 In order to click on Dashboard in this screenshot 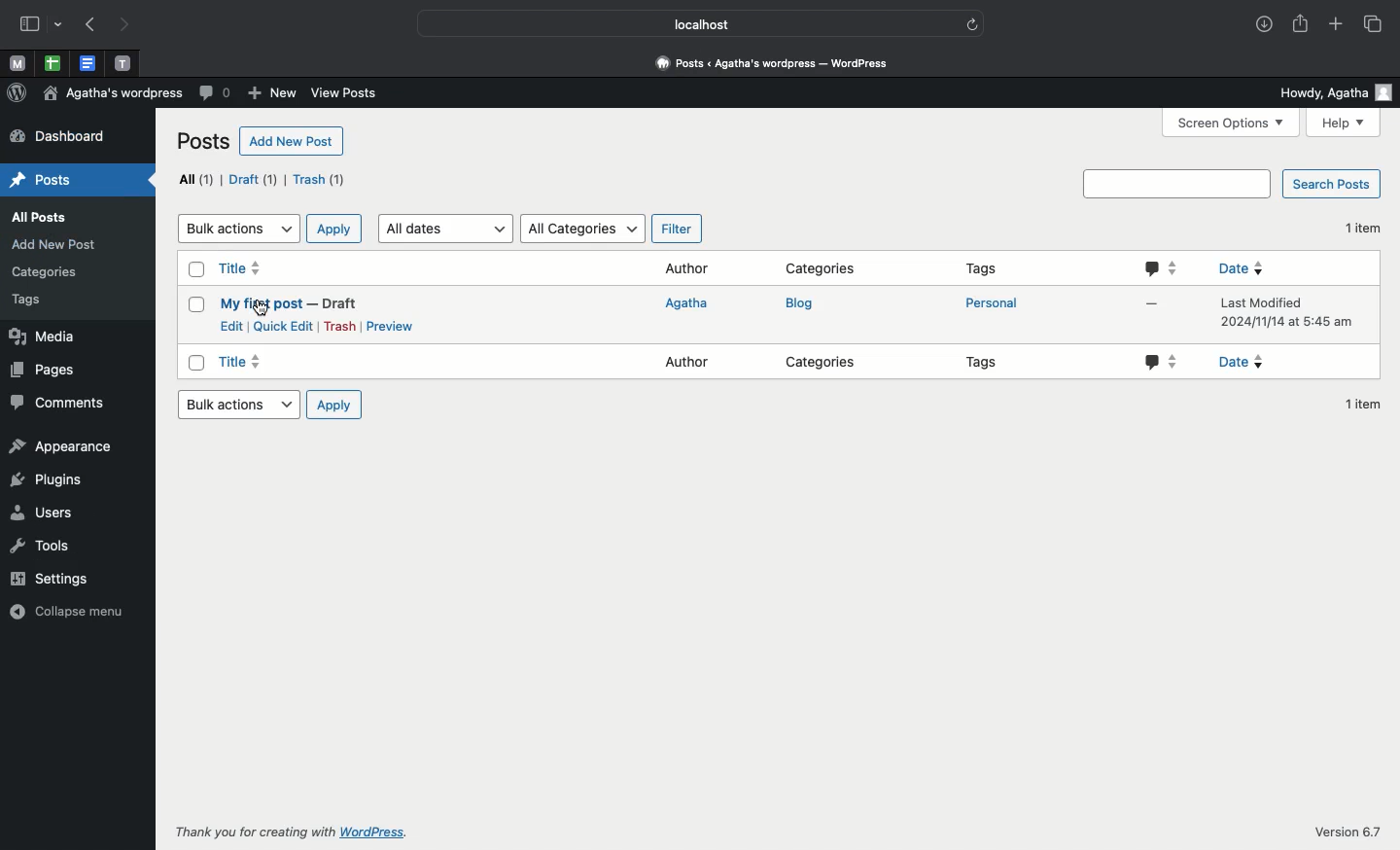, I will do `click(54, 135)`.